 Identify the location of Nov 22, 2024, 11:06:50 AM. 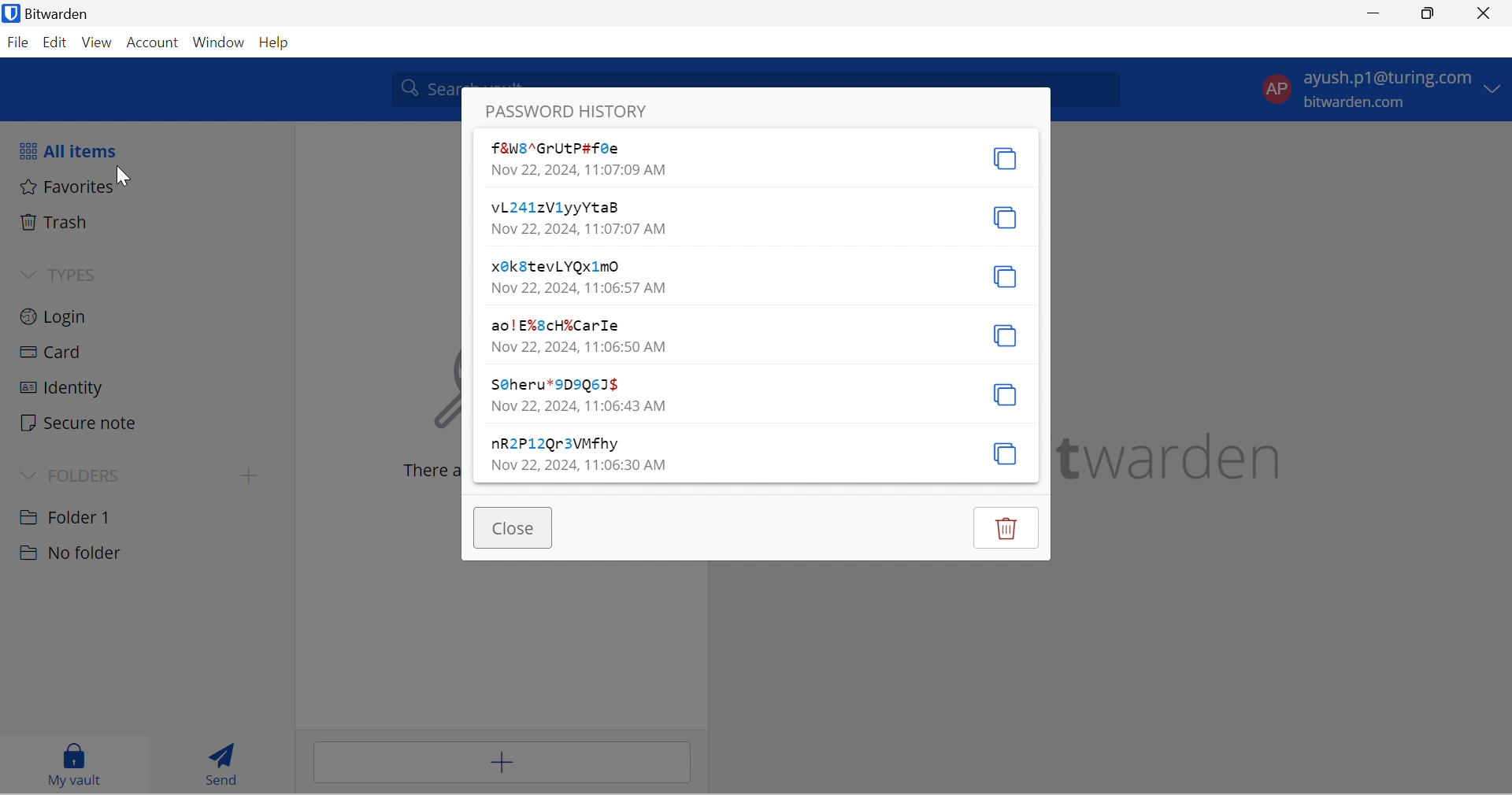
(580, 346).